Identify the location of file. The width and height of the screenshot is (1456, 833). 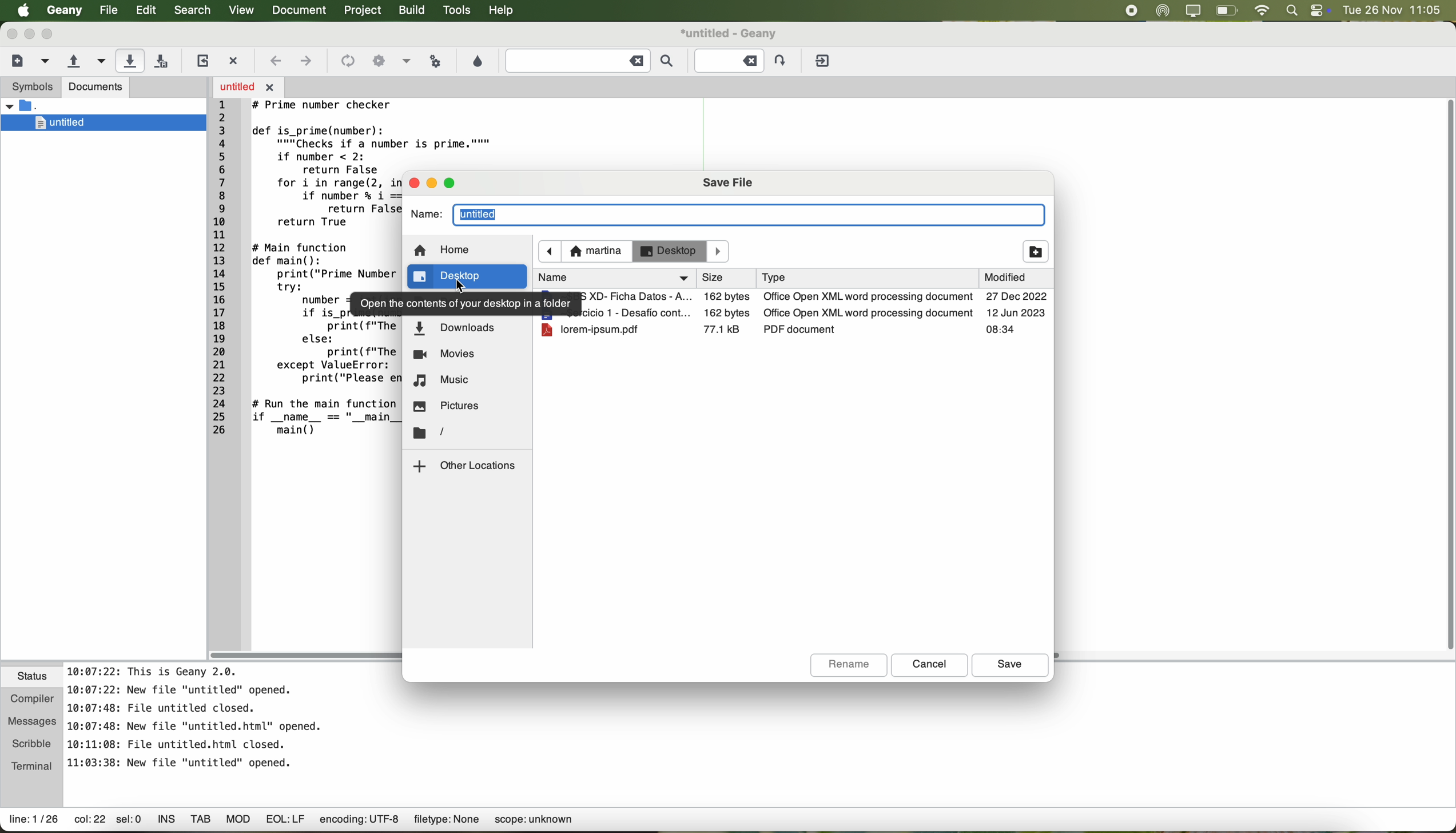
(817, 297).